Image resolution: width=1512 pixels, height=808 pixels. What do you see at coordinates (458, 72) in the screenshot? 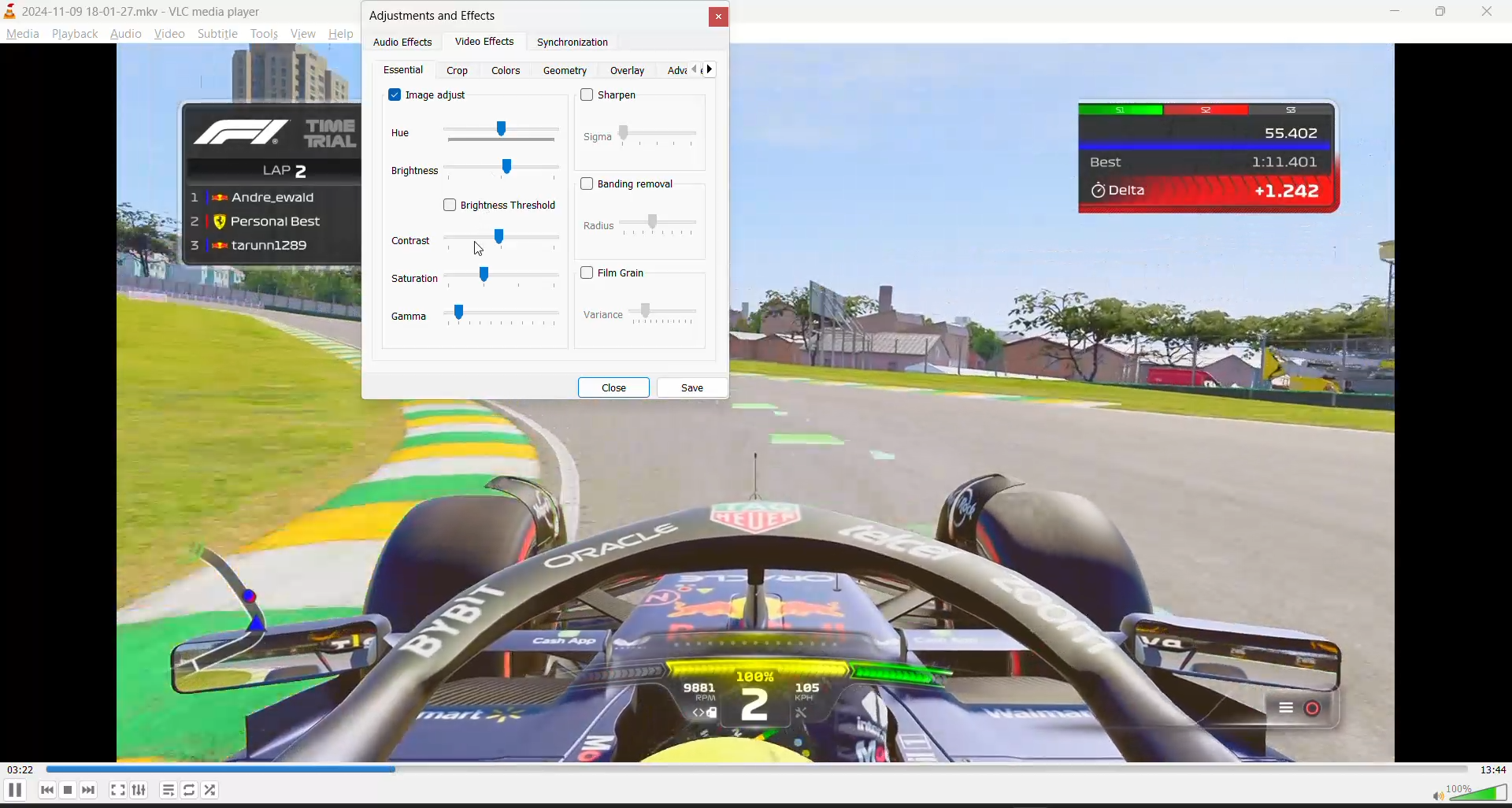
I see `crop` at bounding box center [458, 72].